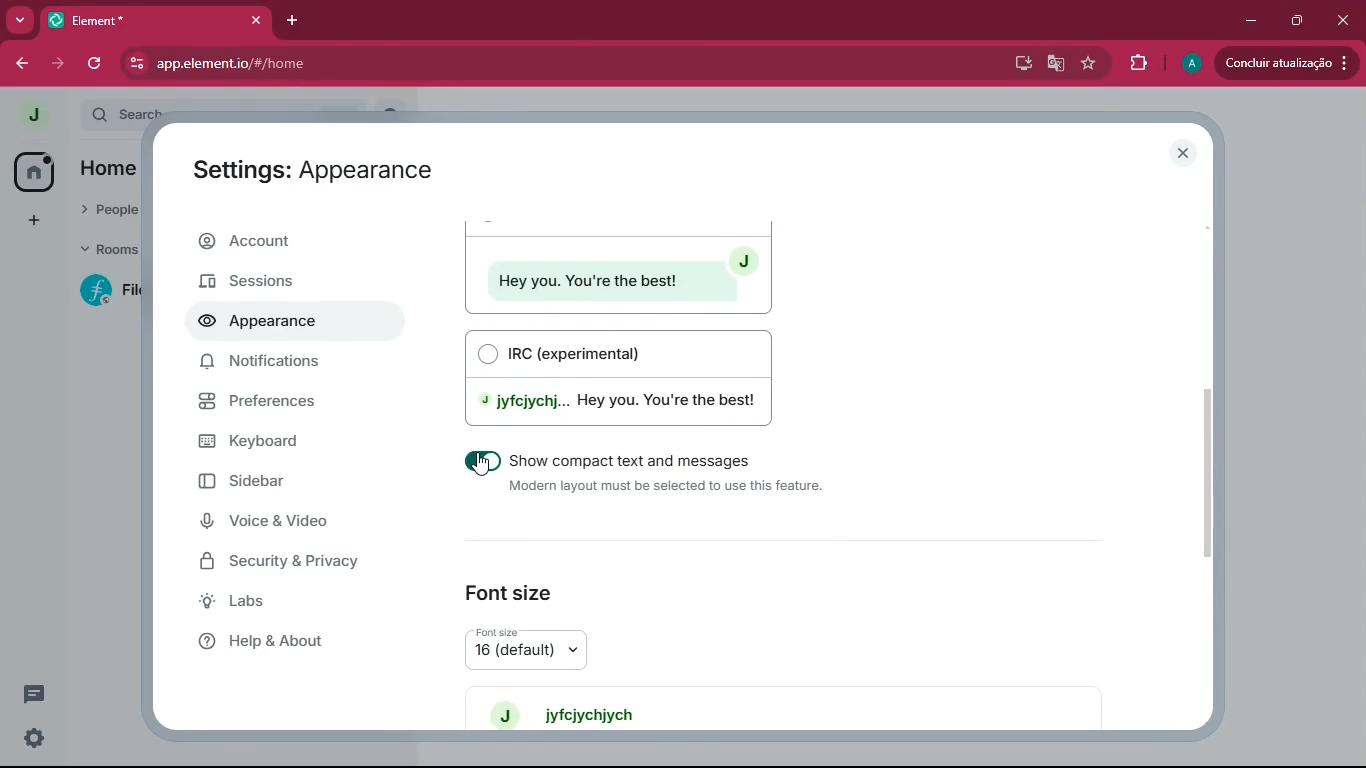  I want to click on forward, so click(58, 65).